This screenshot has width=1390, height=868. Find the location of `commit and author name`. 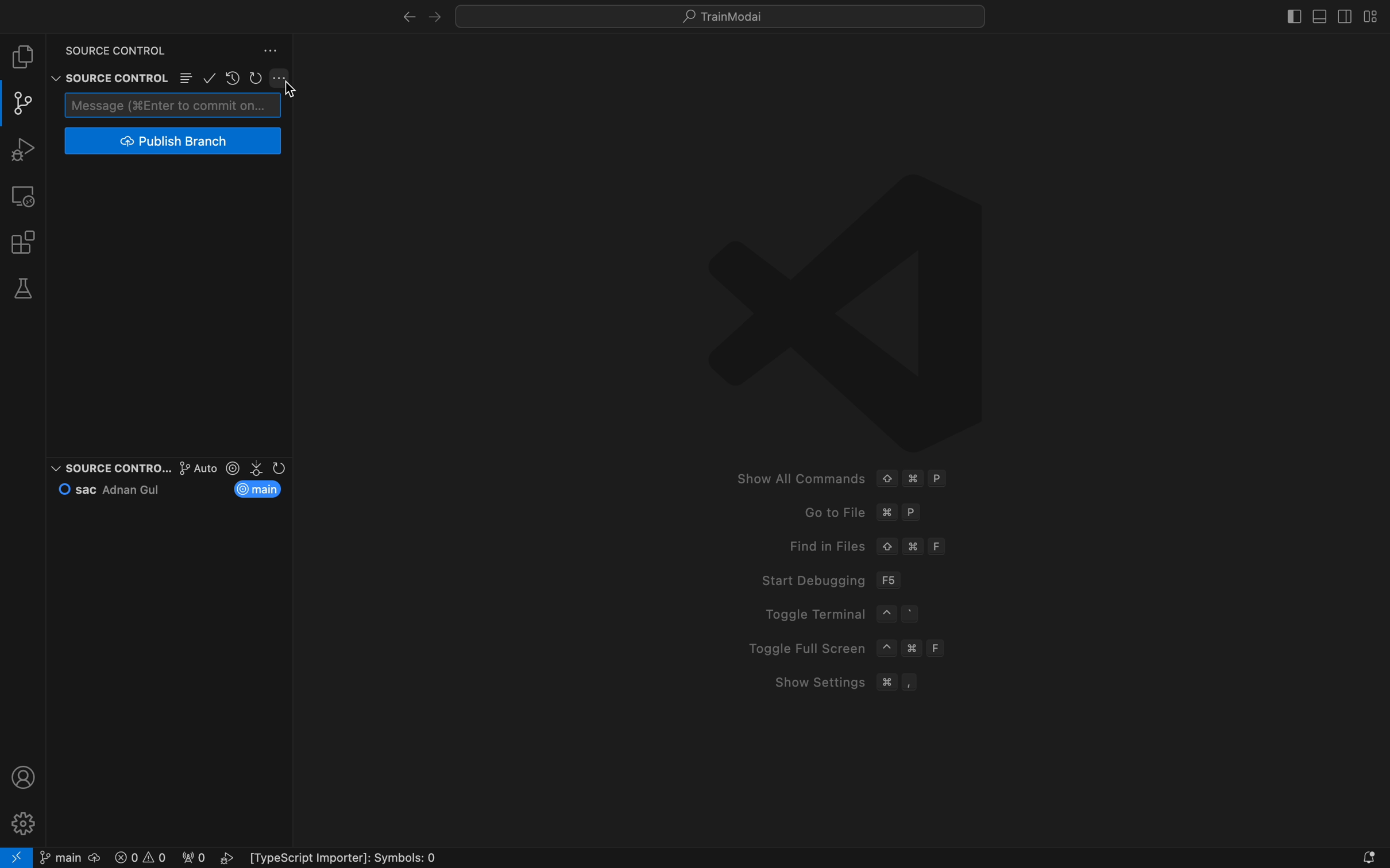

commit and author name is located at coordinates (115, 489).